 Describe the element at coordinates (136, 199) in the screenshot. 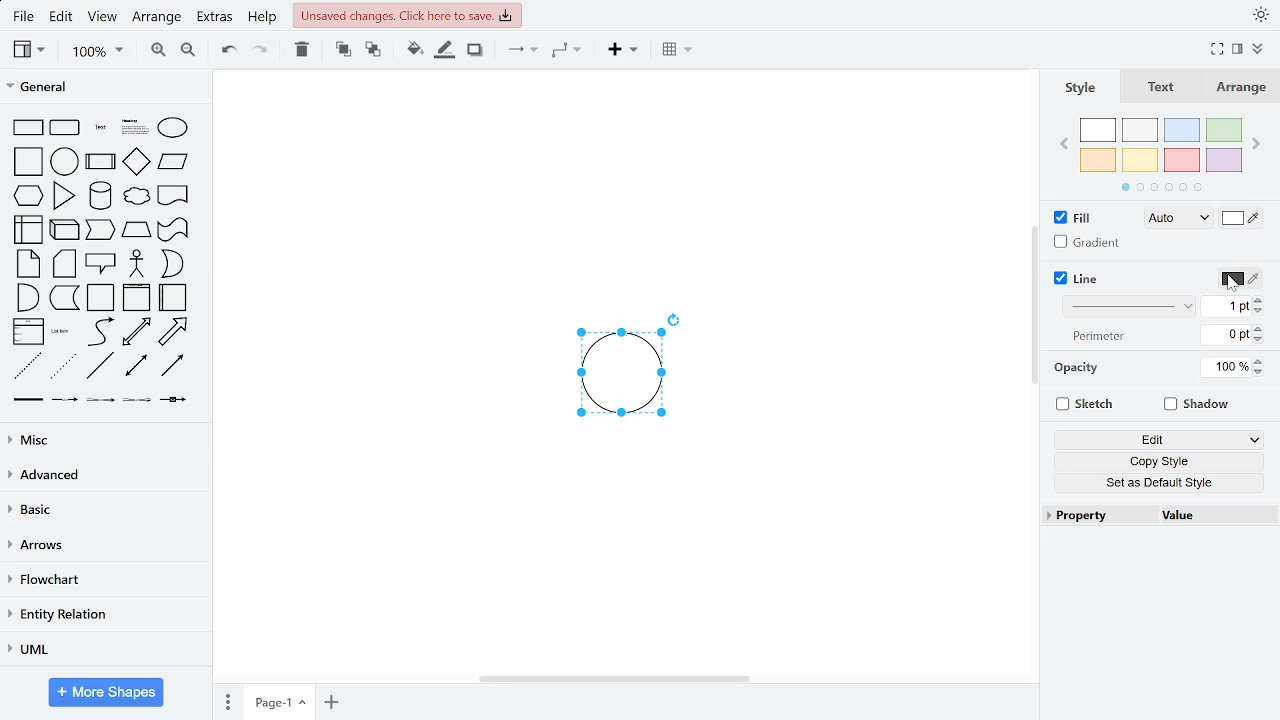

I see `cloud` at that location.